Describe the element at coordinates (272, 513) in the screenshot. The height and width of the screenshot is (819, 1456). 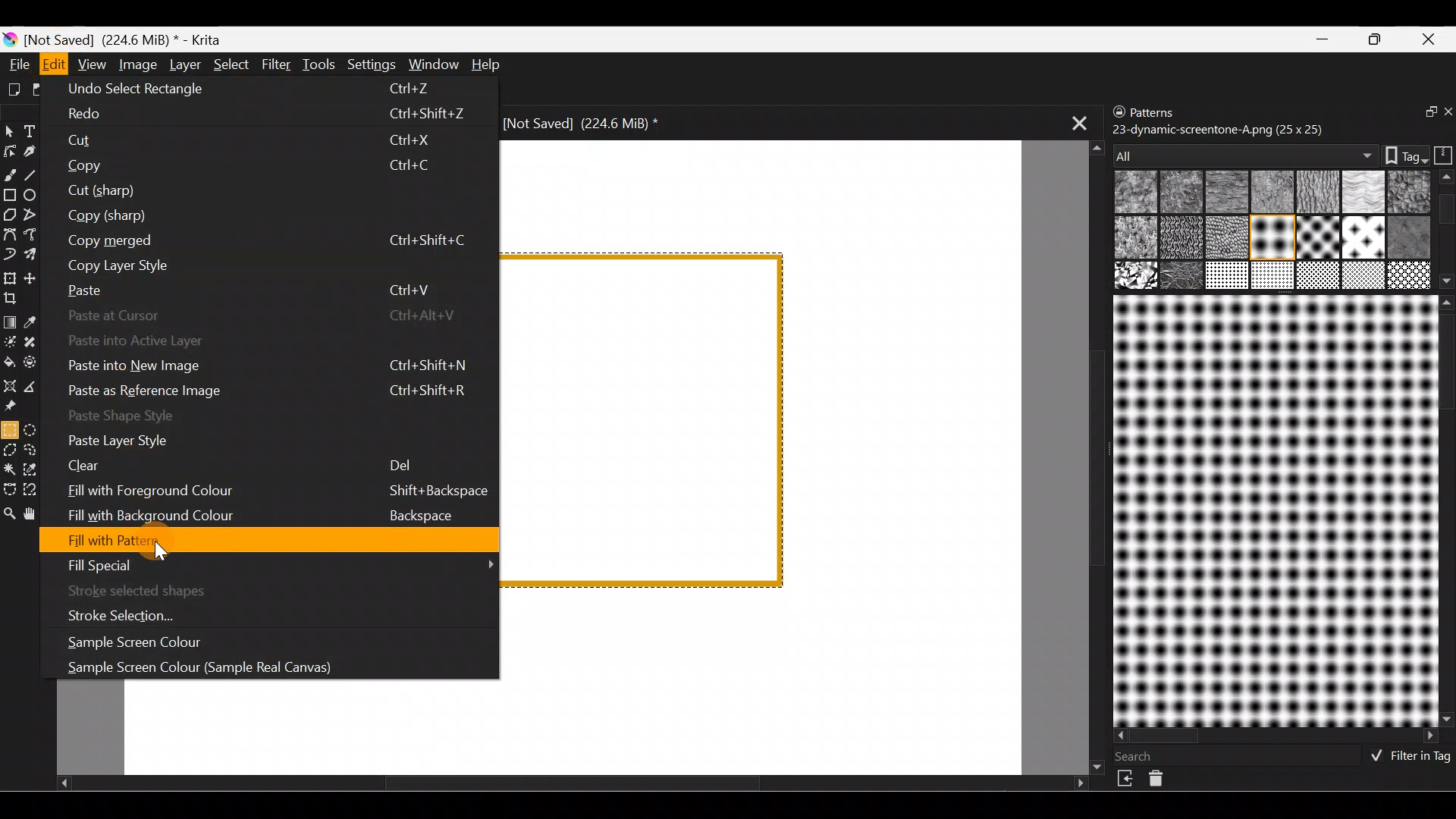
I see `Fill with background colour` at that location.